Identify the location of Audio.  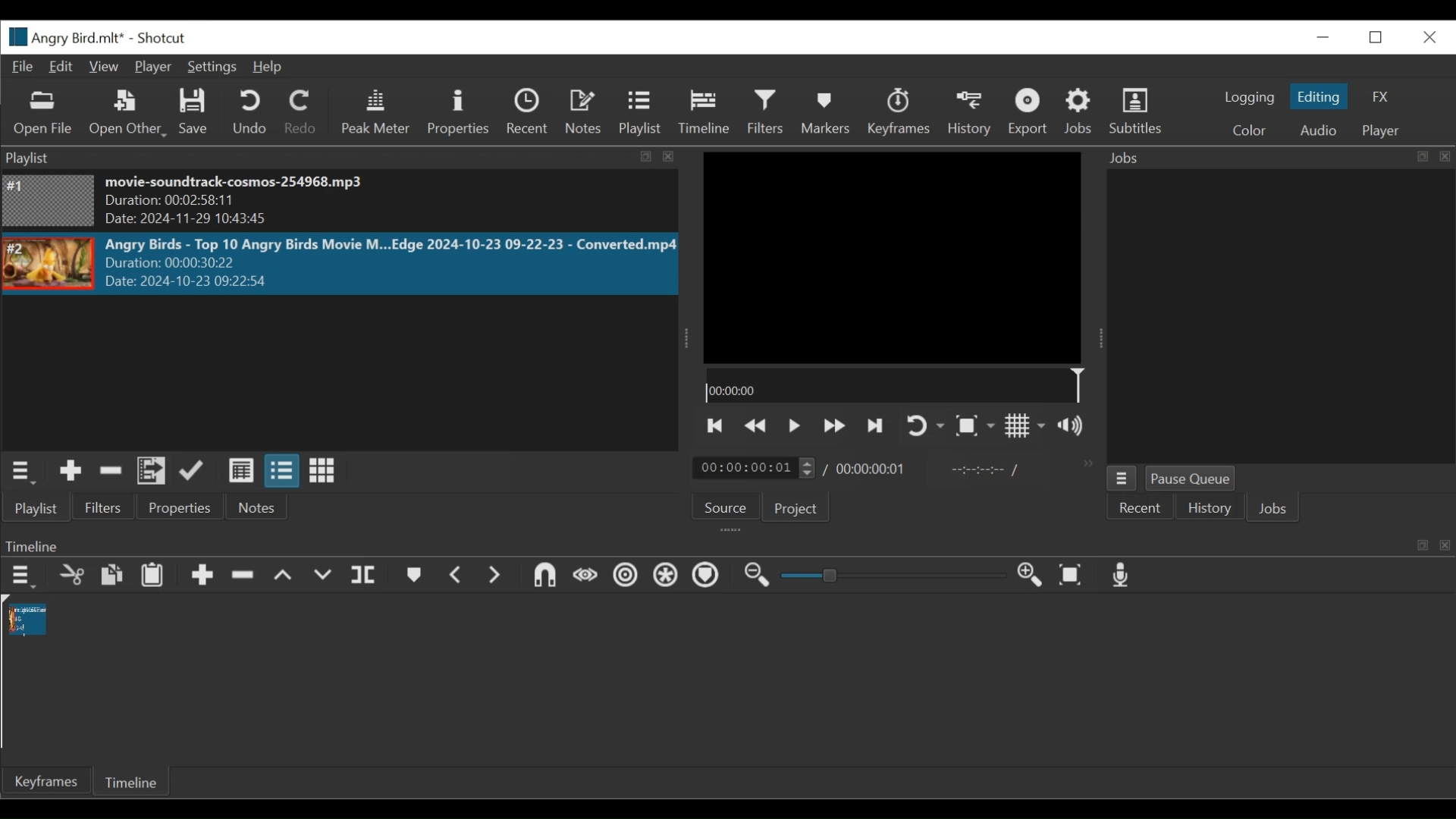
(1319, 130).